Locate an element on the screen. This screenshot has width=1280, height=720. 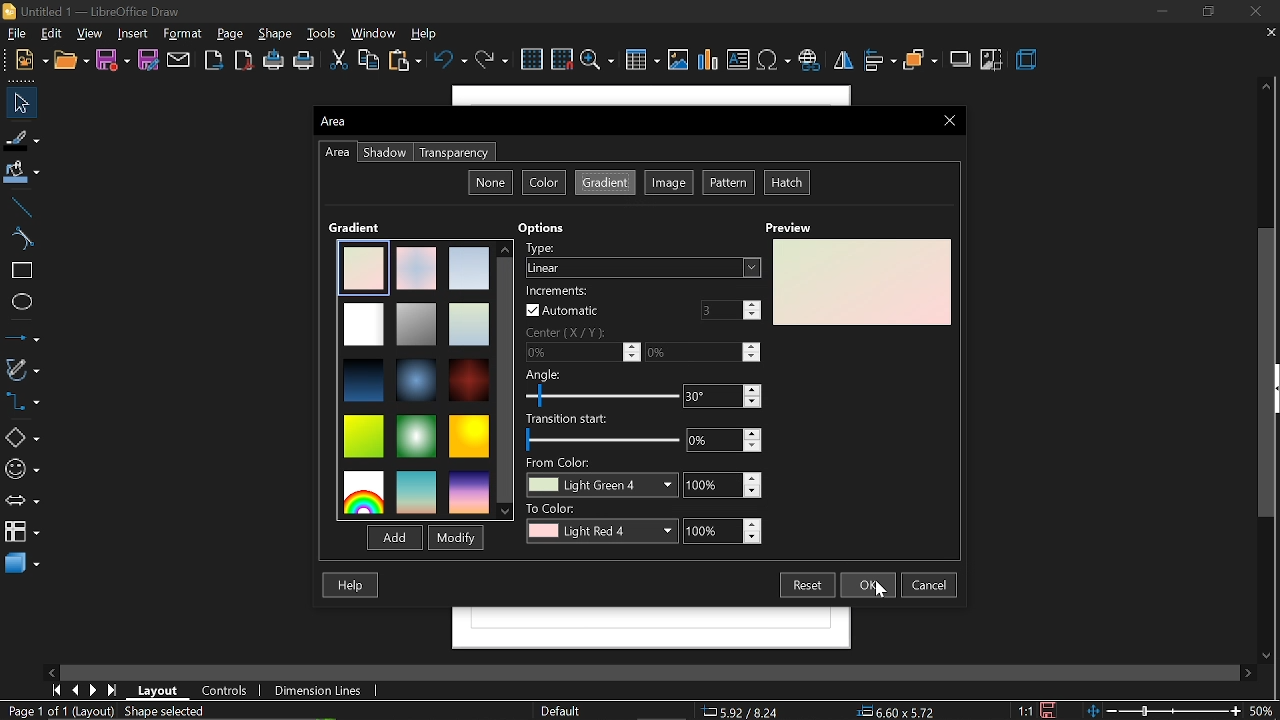
co-ordinate (5.92/8.24) is located at coordinates (748, 710).